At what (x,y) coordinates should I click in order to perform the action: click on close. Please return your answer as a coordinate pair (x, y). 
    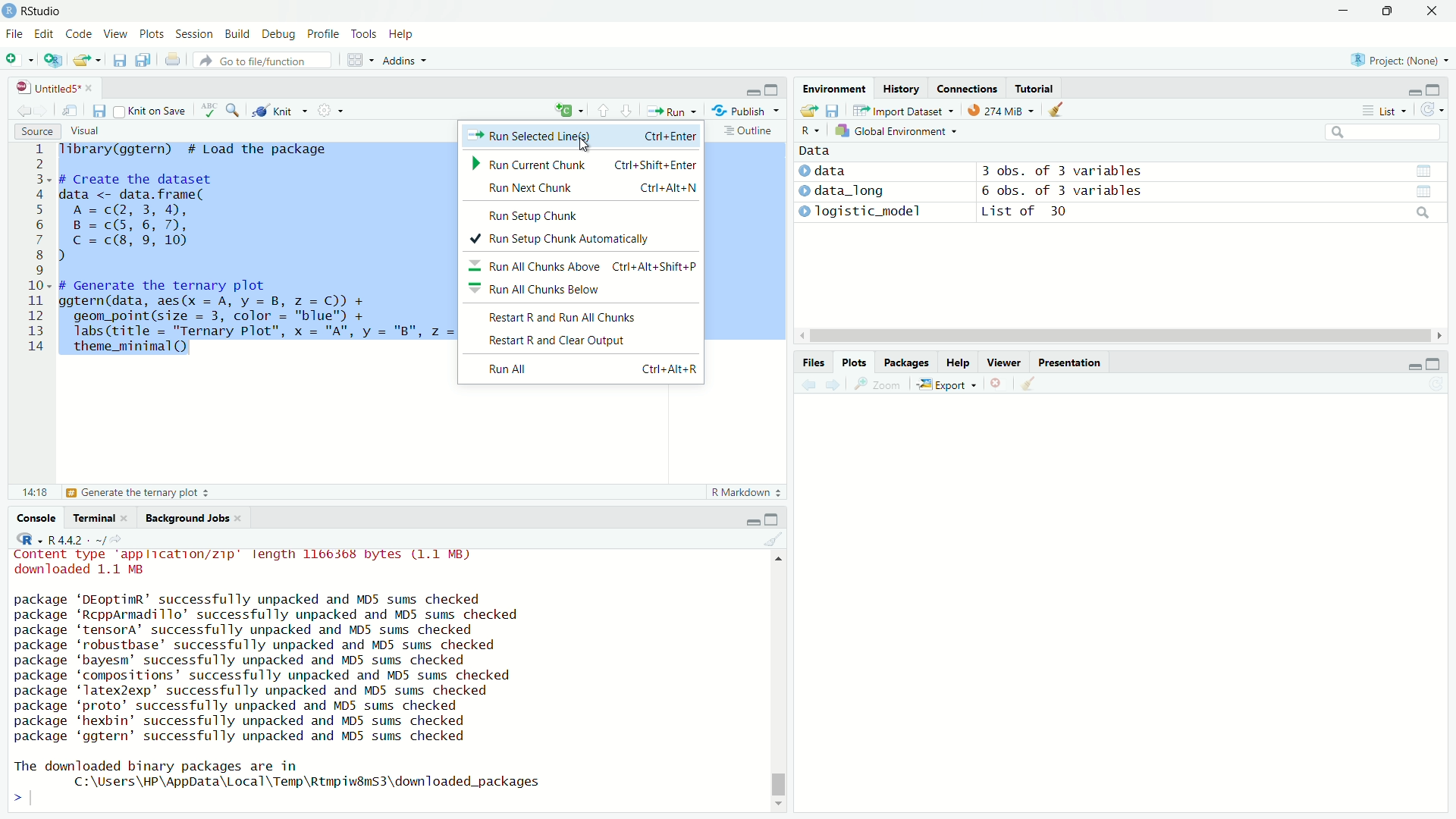
    Looking at the image, I should click on (1432, 13).